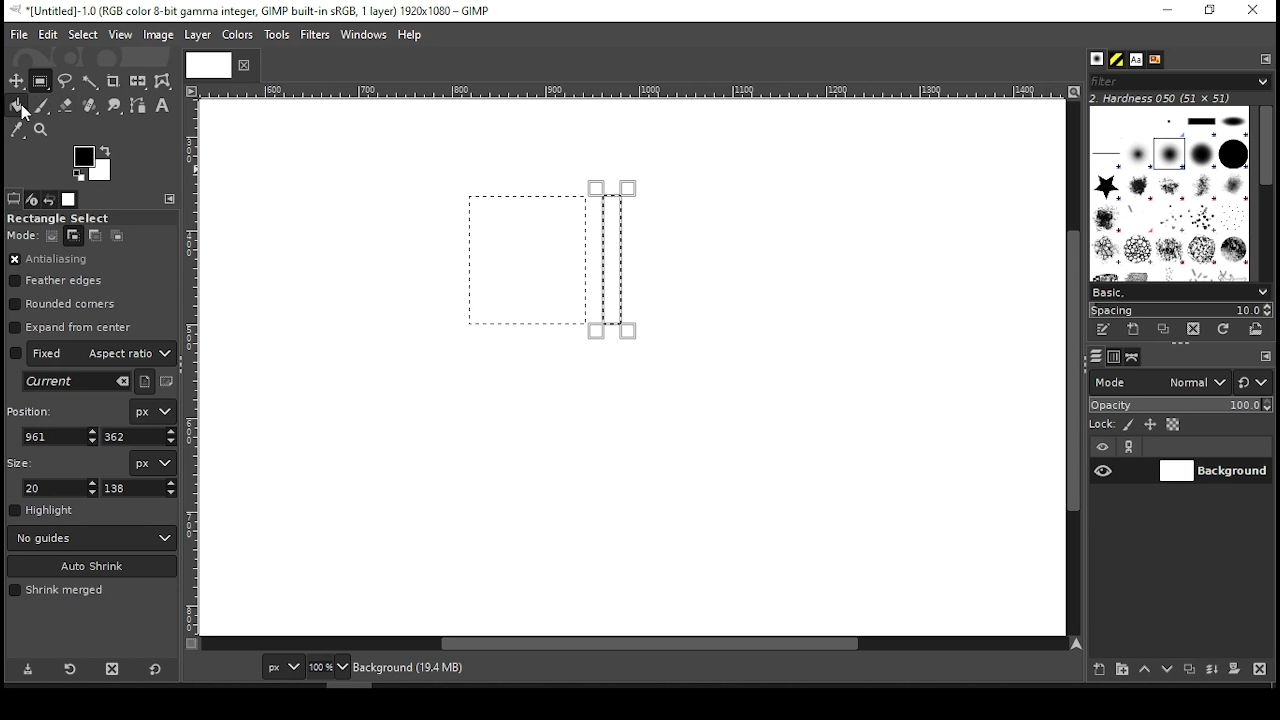 This screenshot has height=720, width=1280. I want to click on new layer group  , so click(1121, 669).